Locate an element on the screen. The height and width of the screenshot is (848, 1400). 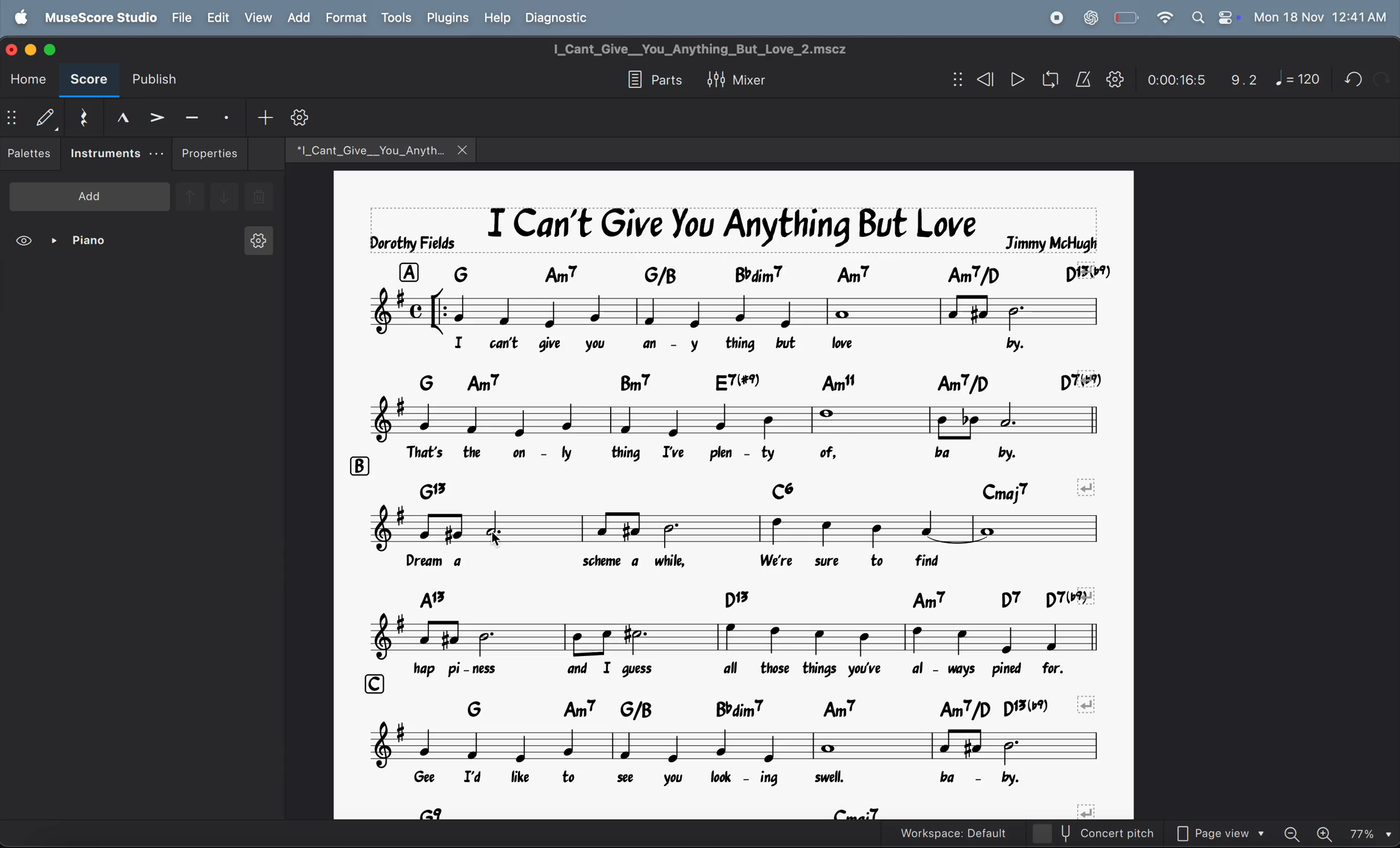
piano is located at coordinates (78, 239).